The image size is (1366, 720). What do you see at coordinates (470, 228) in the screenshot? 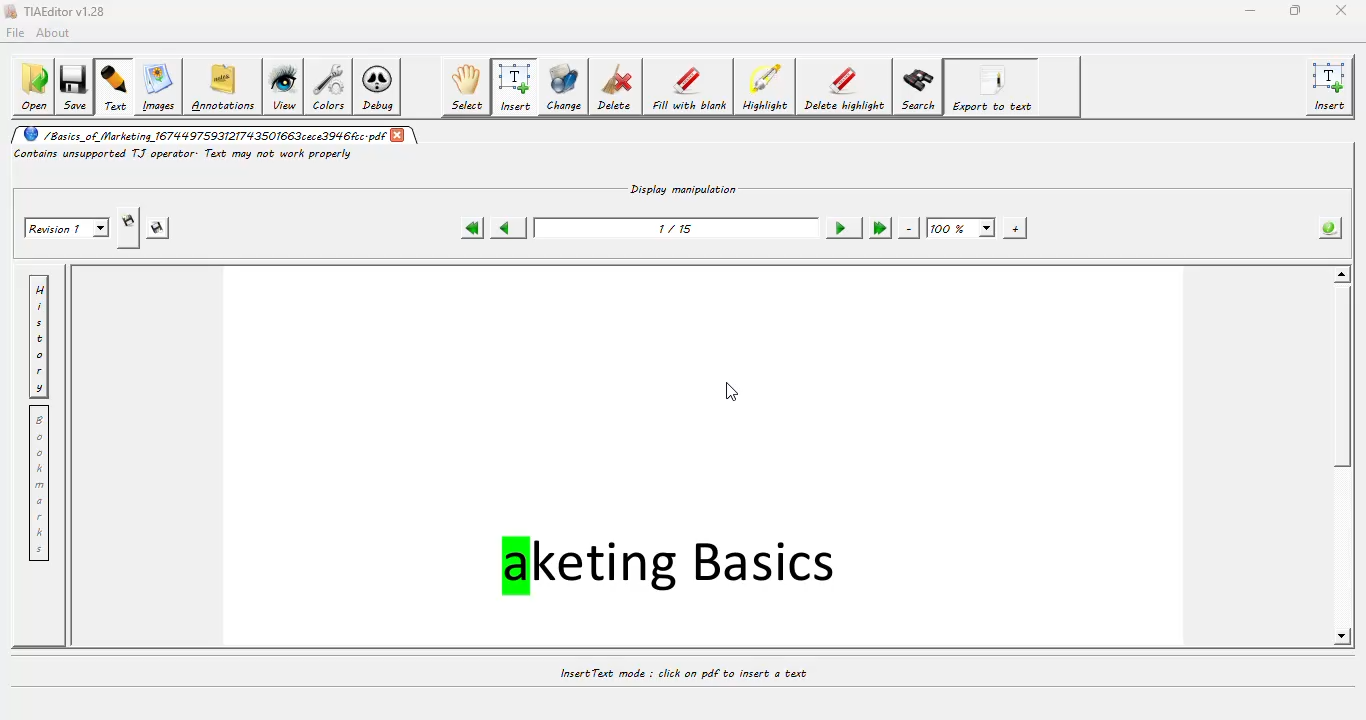
I see `first page` at bounding box center [470, 228].